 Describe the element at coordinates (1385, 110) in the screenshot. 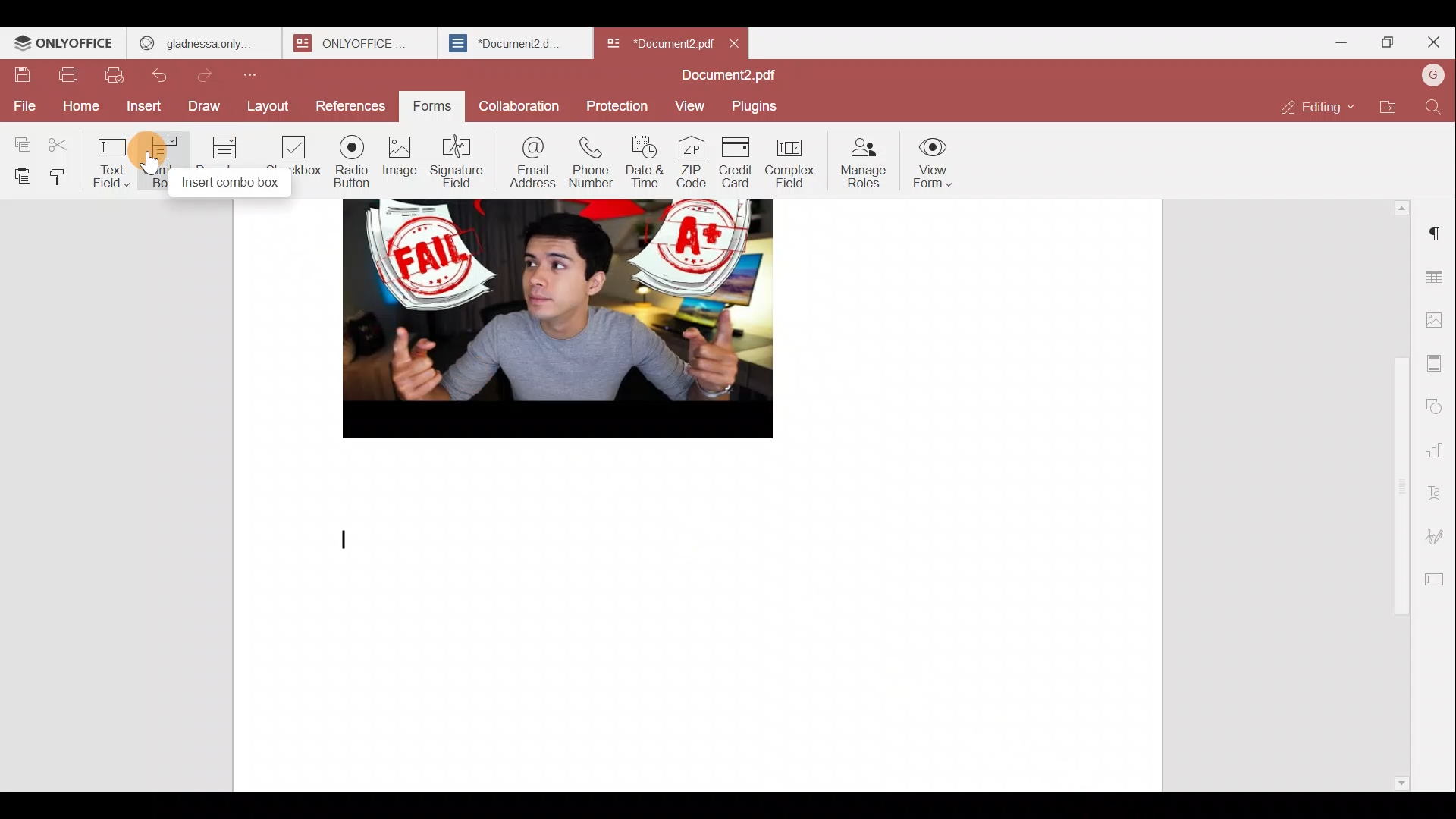

I see `Open file location` at that location.